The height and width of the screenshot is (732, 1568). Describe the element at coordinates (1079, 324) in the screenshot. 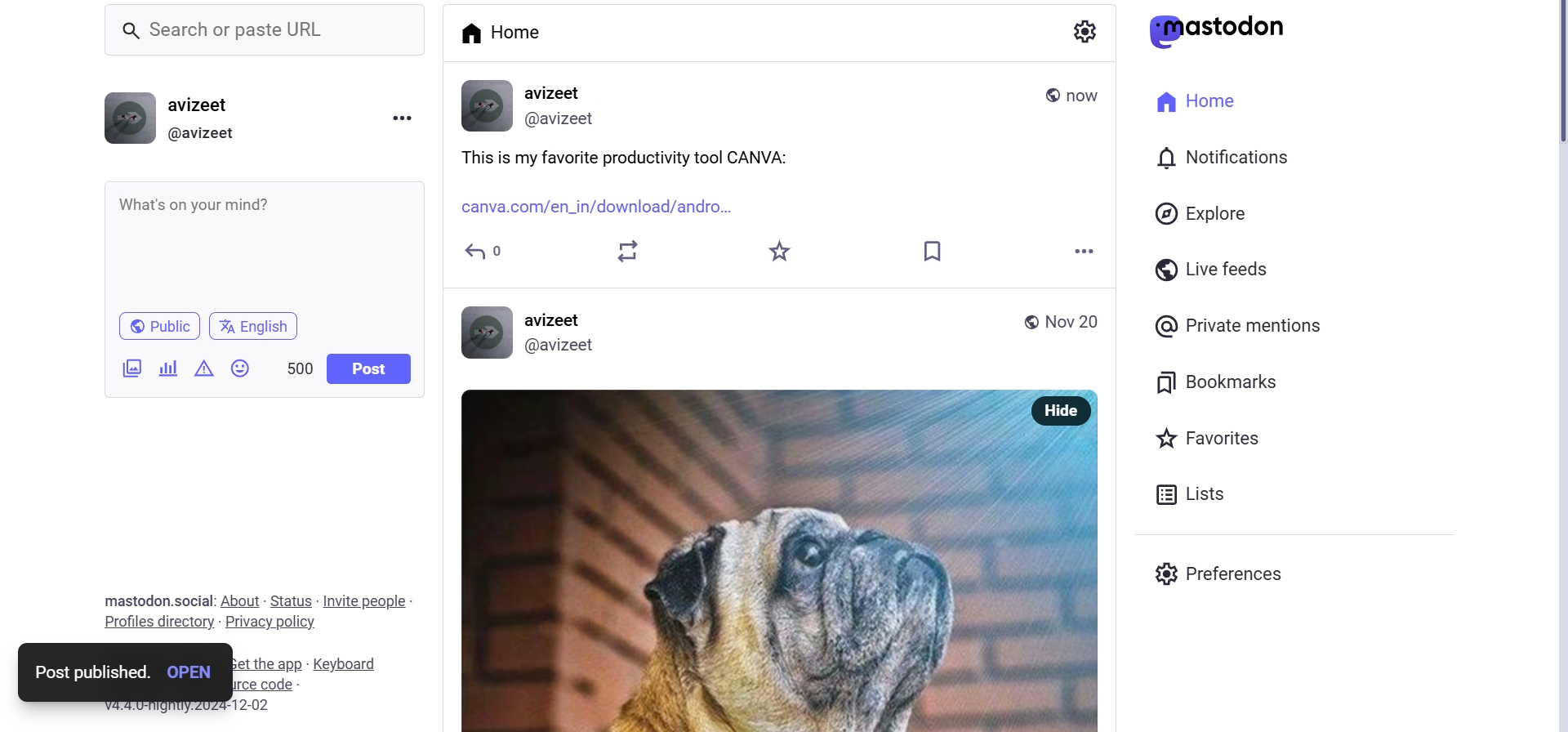

I see `Nov 20` at that location.